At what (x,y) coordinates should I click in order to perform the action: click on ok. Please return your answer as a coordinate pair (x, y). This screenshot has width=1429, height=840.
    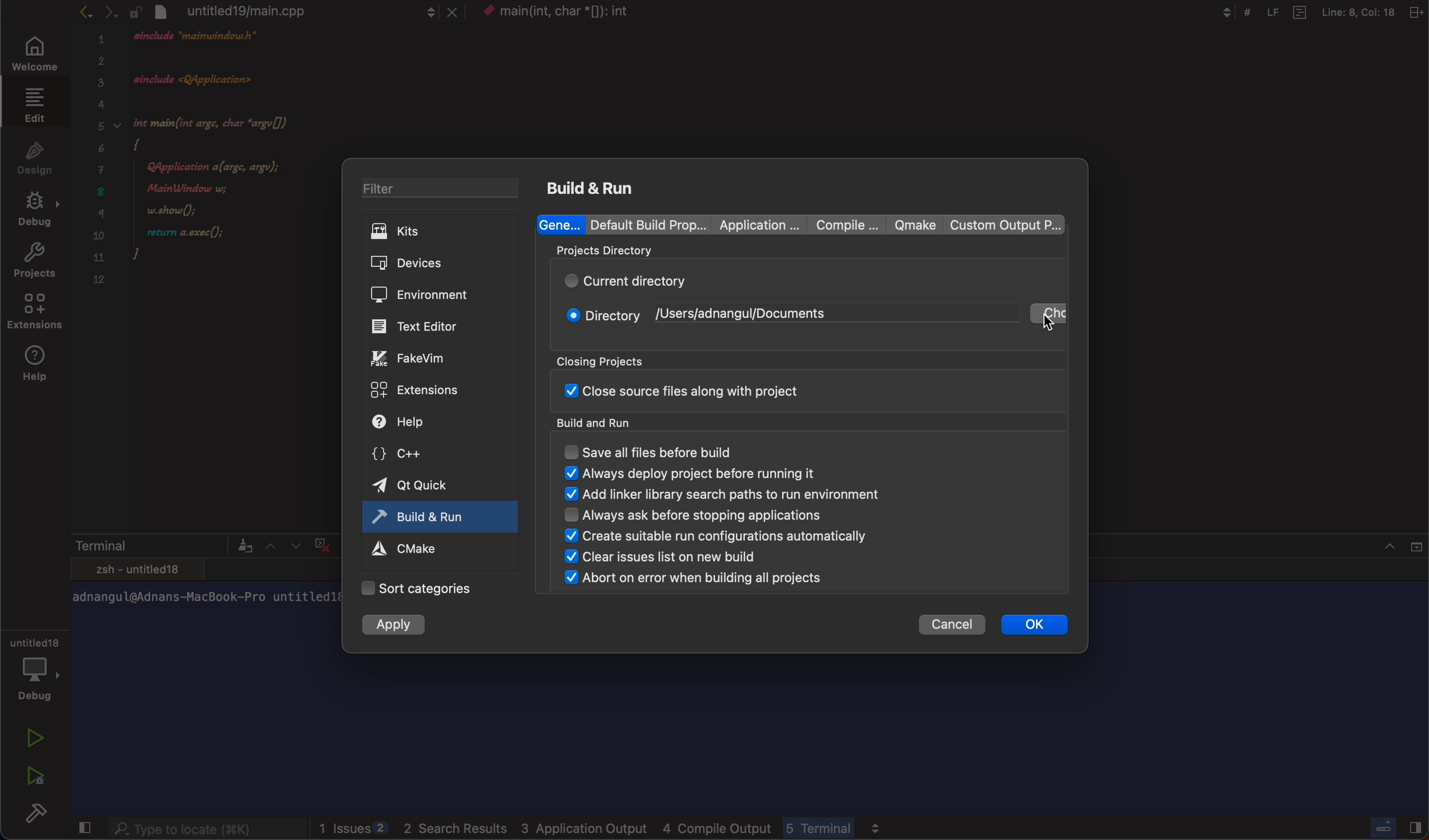
    Looking at the image, I should click on (1039, 623).